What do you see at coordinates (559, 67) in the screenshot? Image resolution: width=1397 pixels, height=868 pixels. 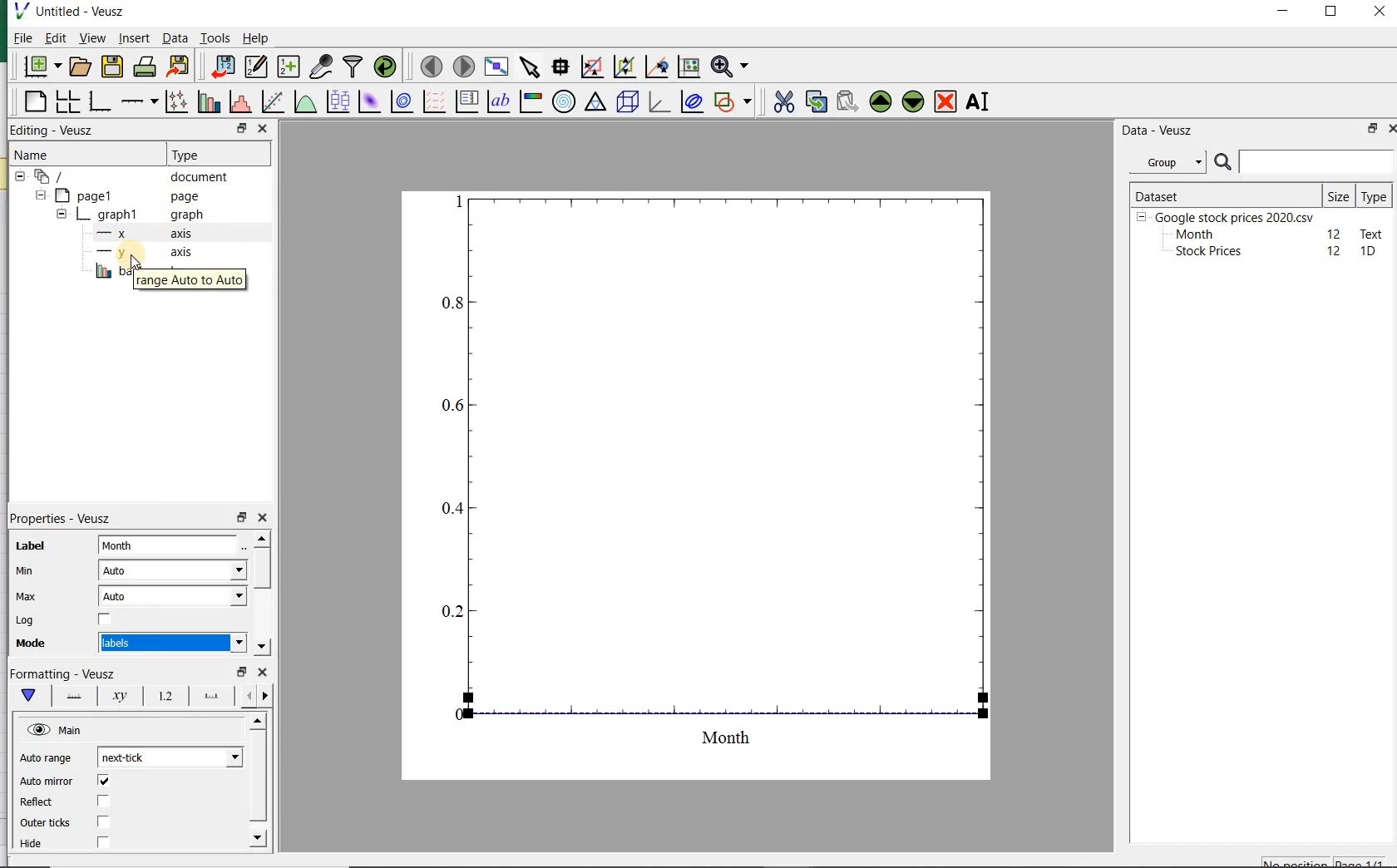 I see `read data points on the graph` at bounding box center [559, 67].